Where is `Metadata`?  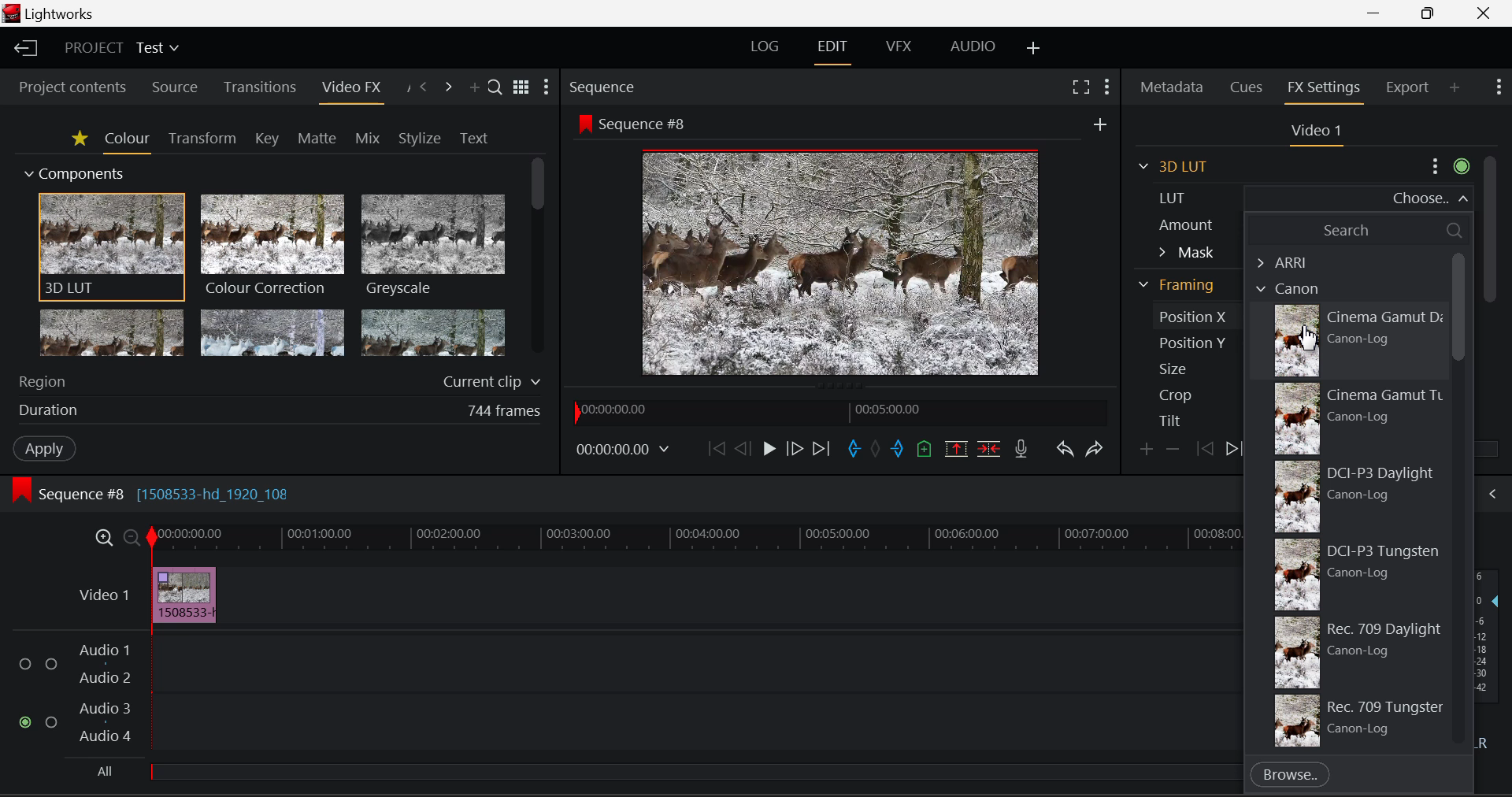 Metadata is located at coordinates (1170, 87).